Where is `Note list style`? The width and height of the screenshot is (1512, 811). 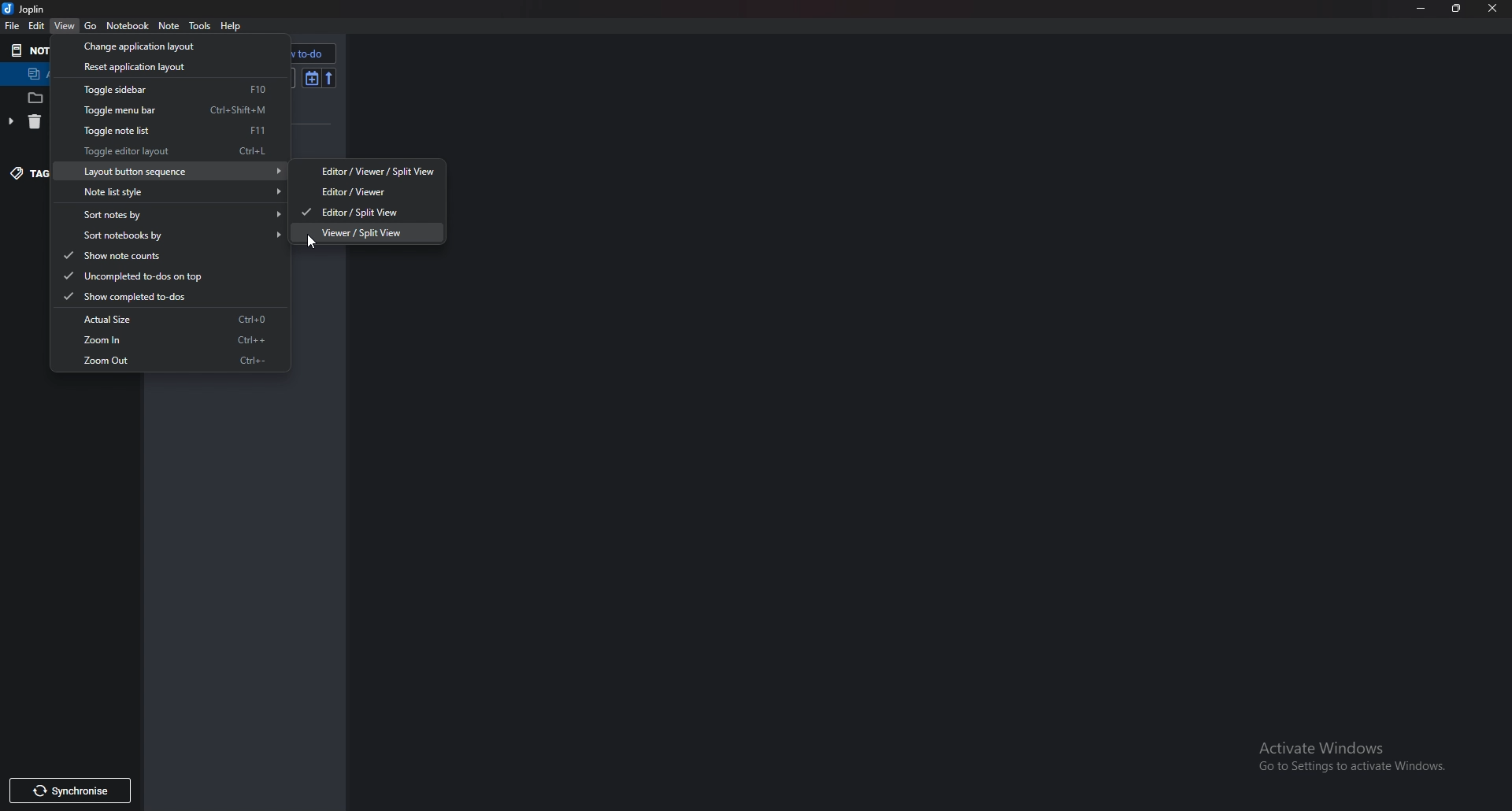 Note list style is located at coordinates (175, 191).